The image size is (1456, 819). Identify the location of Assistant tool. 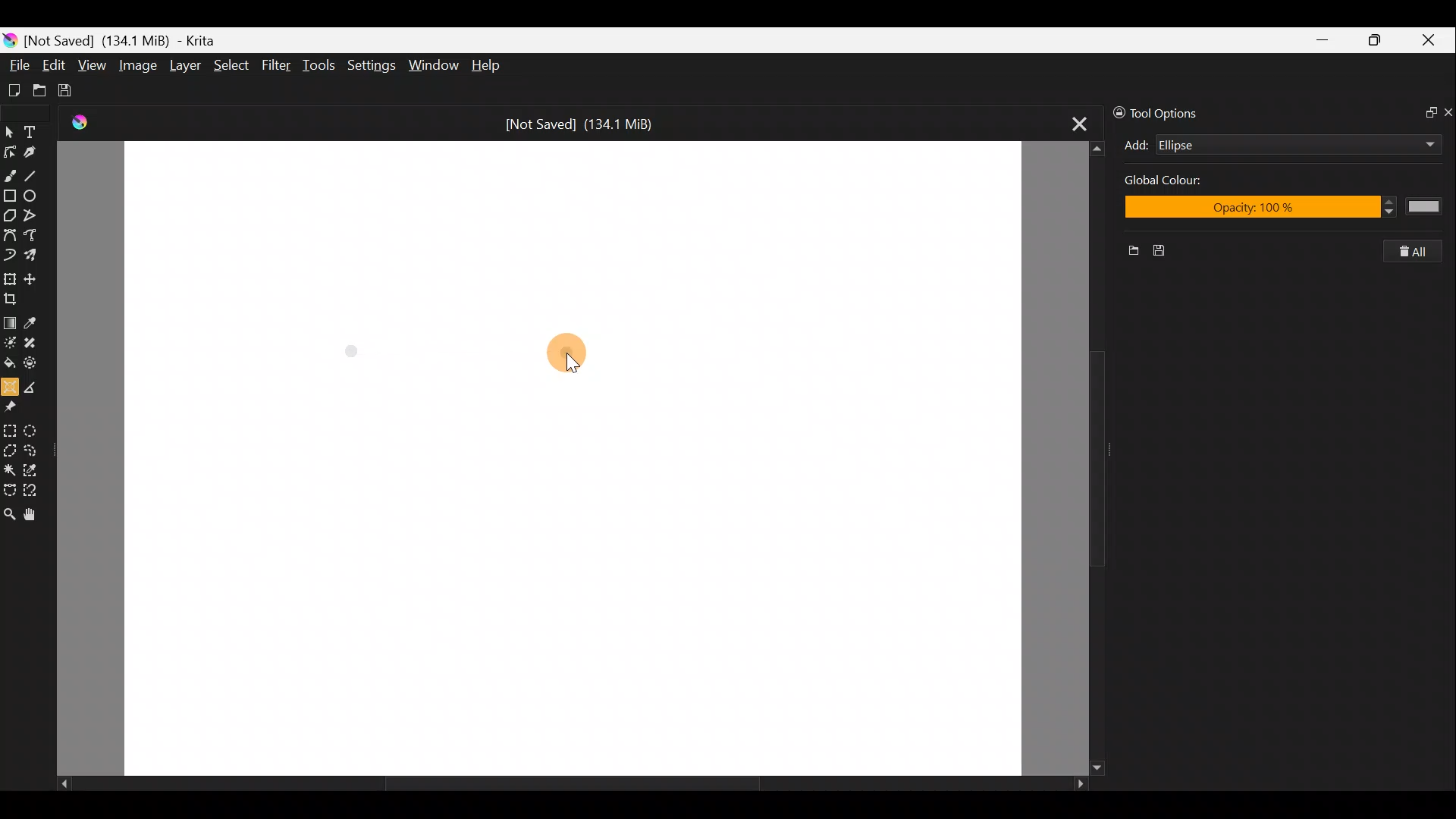
(10, 385).